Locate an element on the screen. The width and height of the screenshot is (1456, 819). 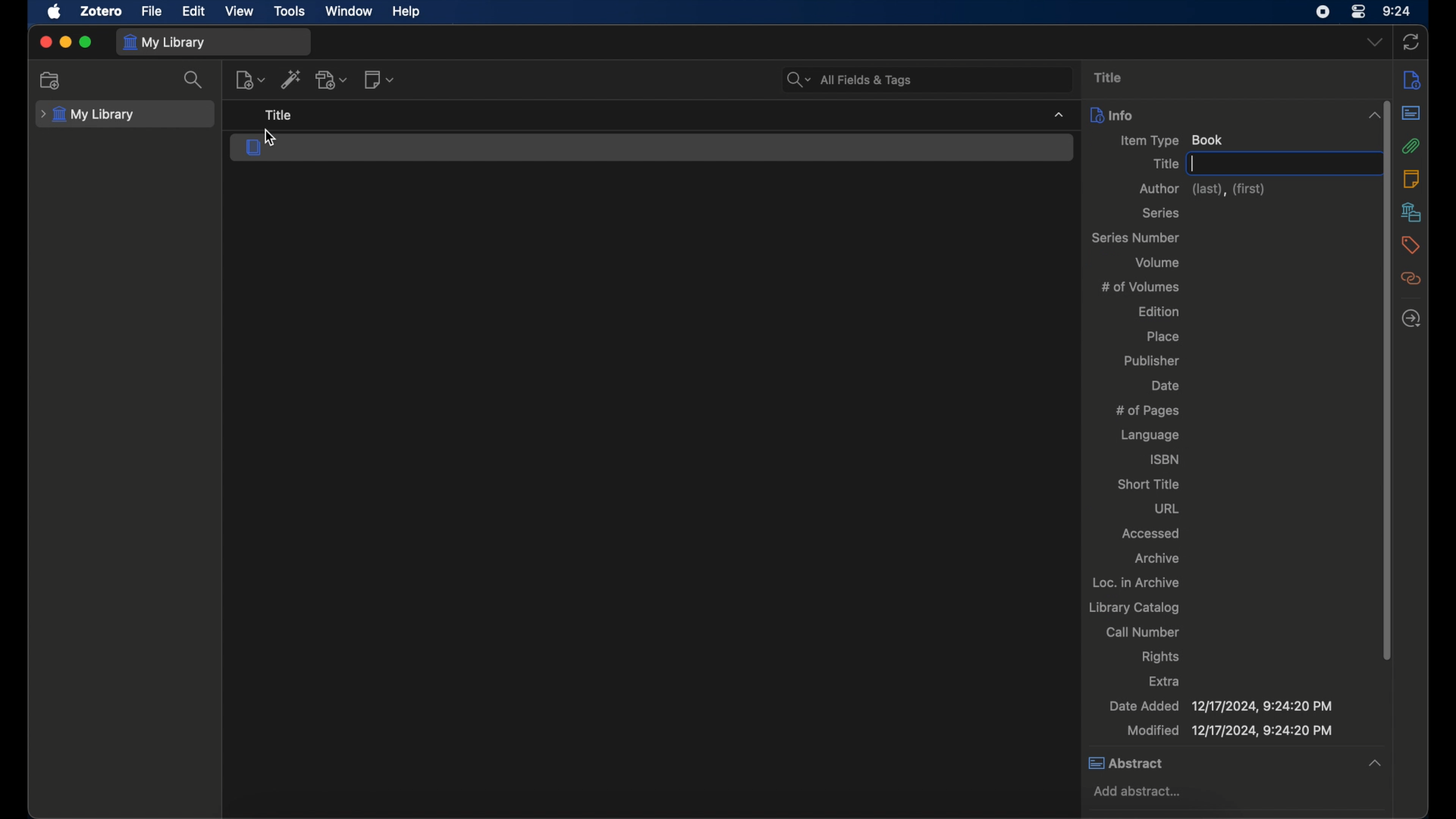
title is located at coordinates (1113, 77).